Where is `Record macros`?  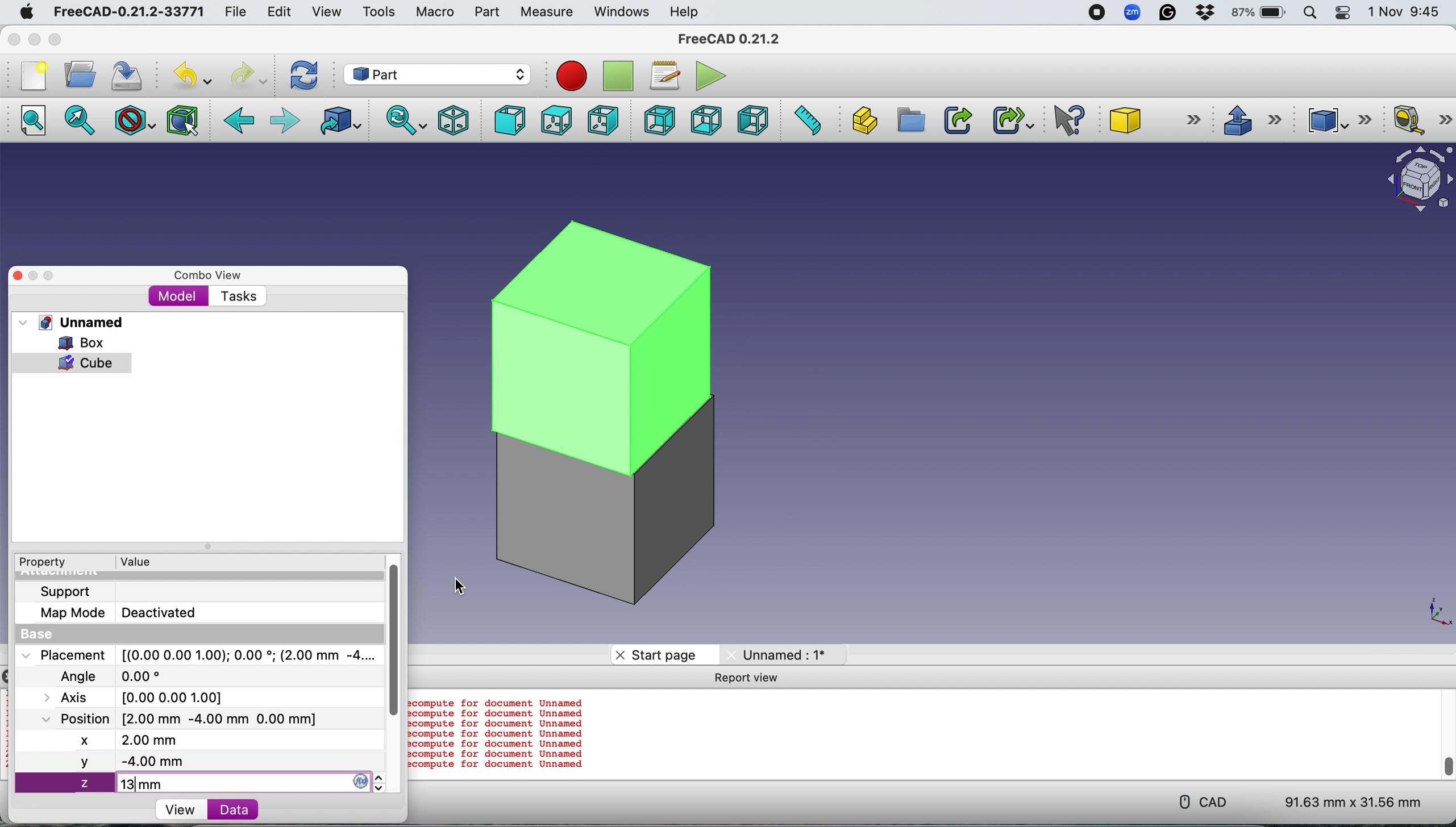
Record macros is located at coordinates (575, 77).